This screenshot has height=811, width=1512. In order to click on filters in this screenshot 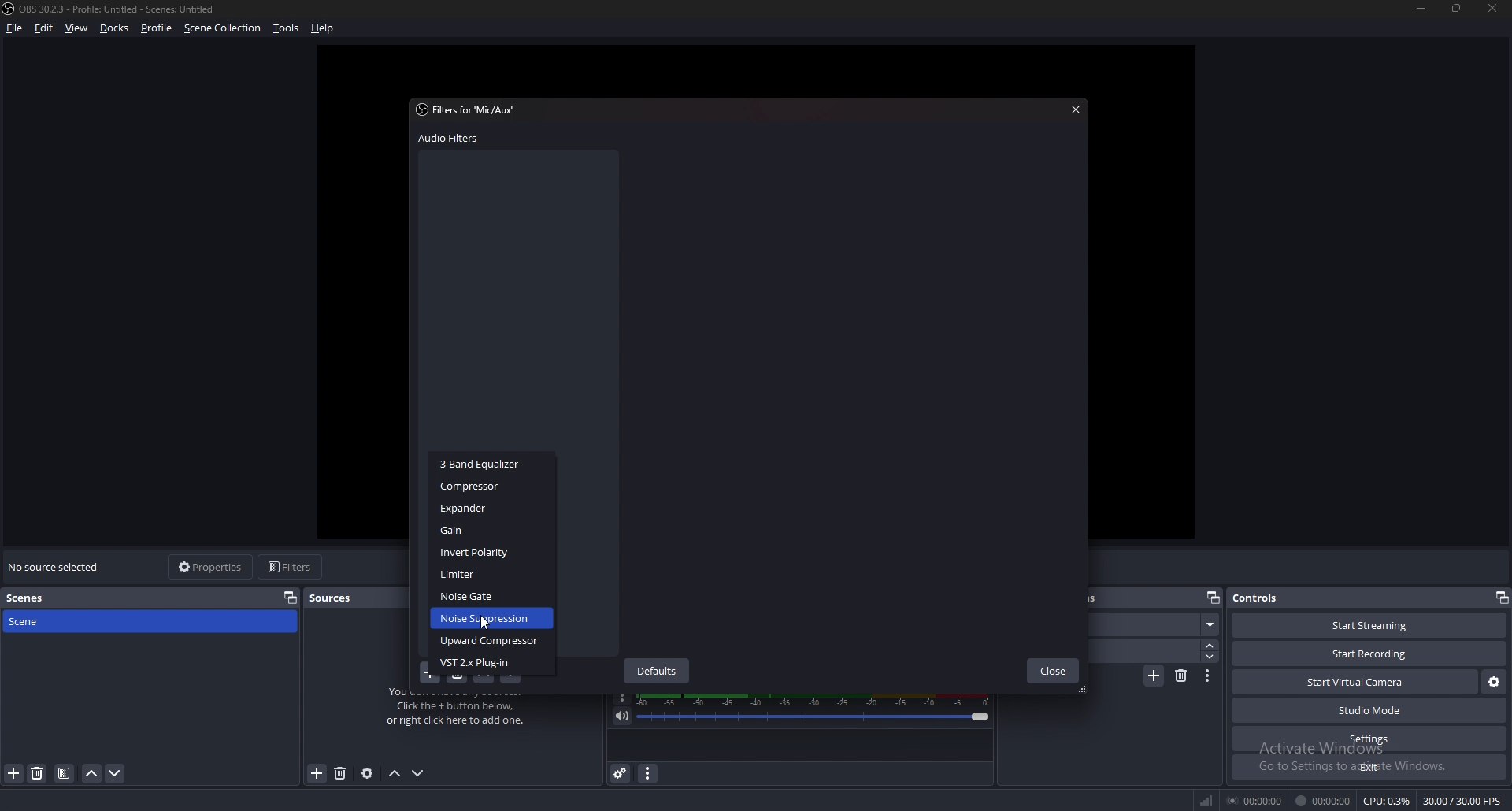, I will do `click(292, 567)`.